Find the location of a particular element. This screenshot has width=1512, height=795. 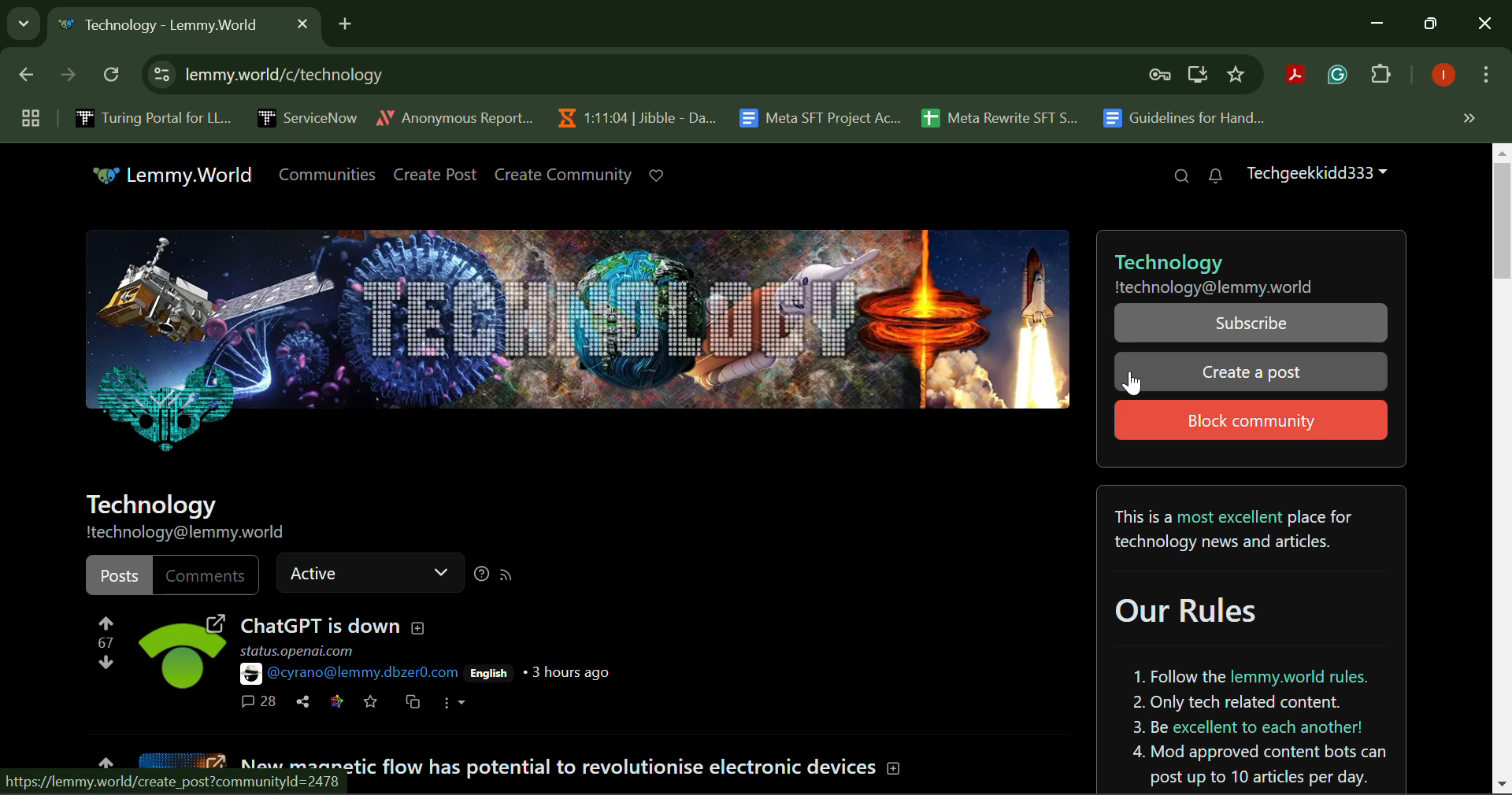

Comments is located at coordinates (257, 701).